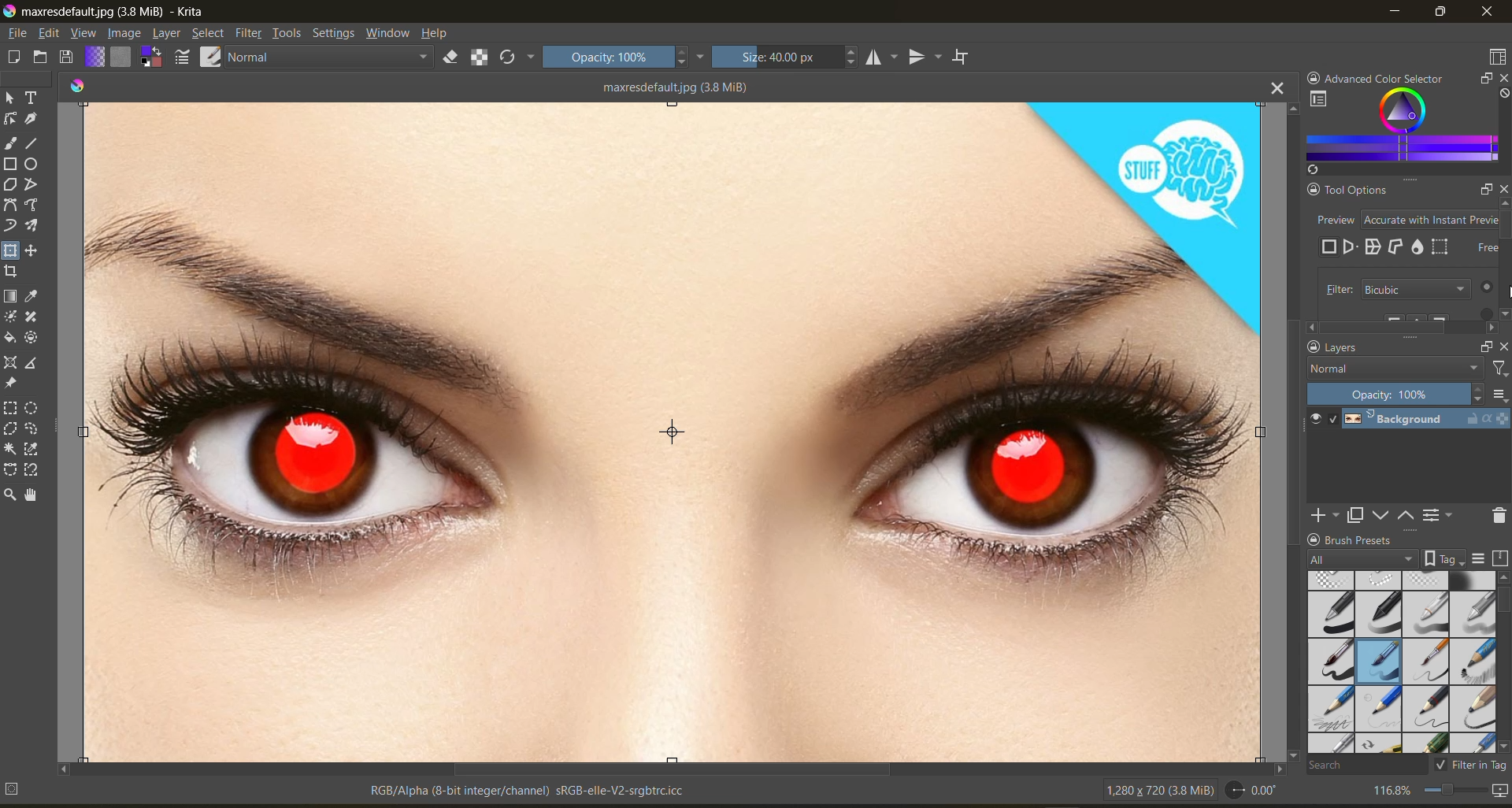 Image resolution: width=1512 pixels, height=808 pixels. What do you see at coordinates (1407, 289) in the screenshot?
I see `filter` at bounding box center [1407, 289].